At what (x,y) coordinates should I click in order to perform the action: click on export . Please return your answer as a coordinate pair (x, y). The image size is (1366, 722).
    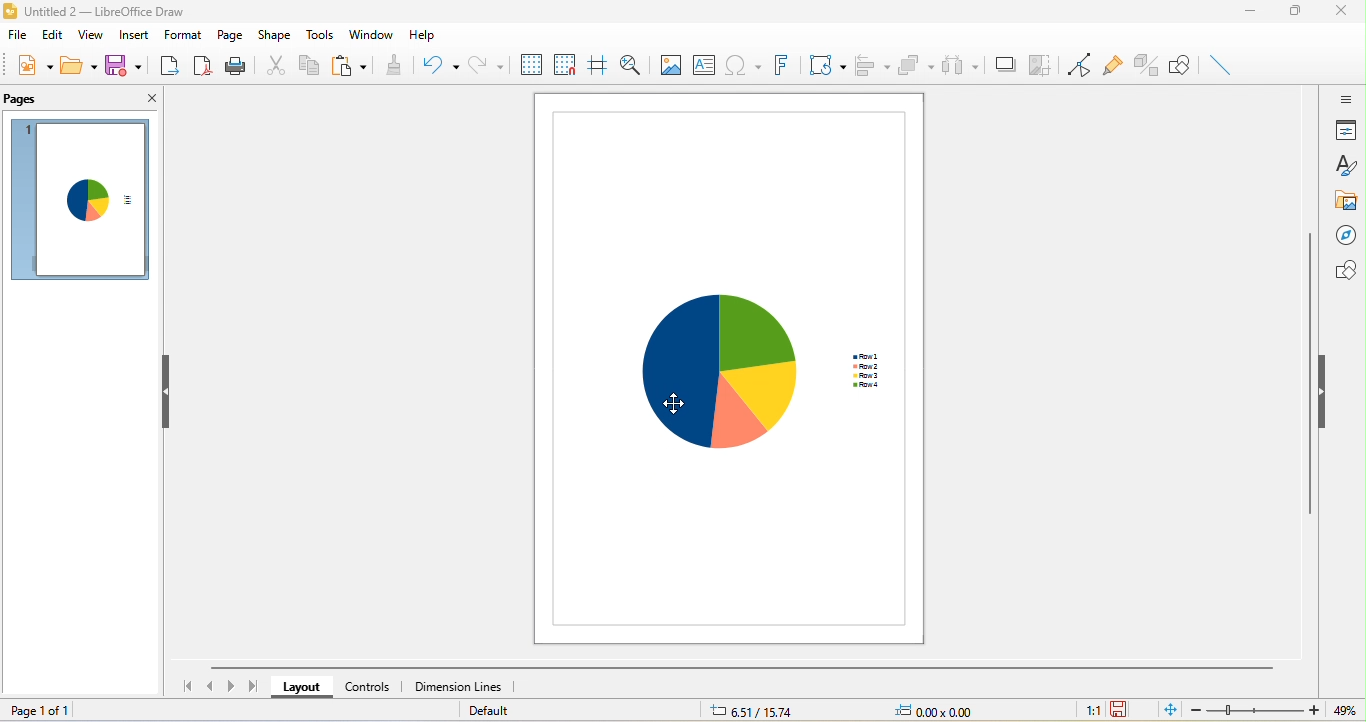
    Looking at the image, I should click on (167, 66).